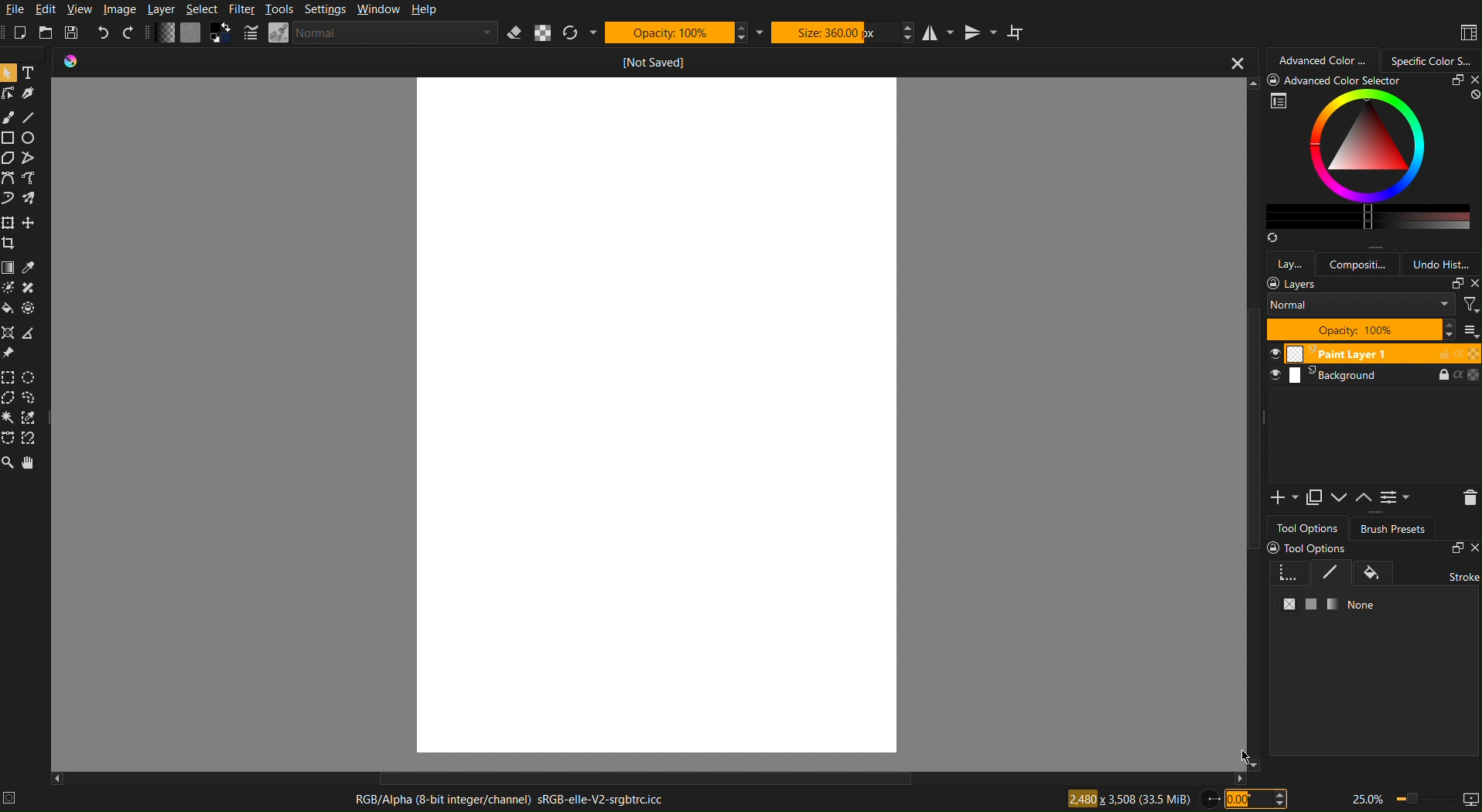 The width and height of the screenshot is (1482, 812). What do you see at coordinates (1361, 330) in the screenshot?
I see `opacity 100%` at bounding box center [1361, 330].